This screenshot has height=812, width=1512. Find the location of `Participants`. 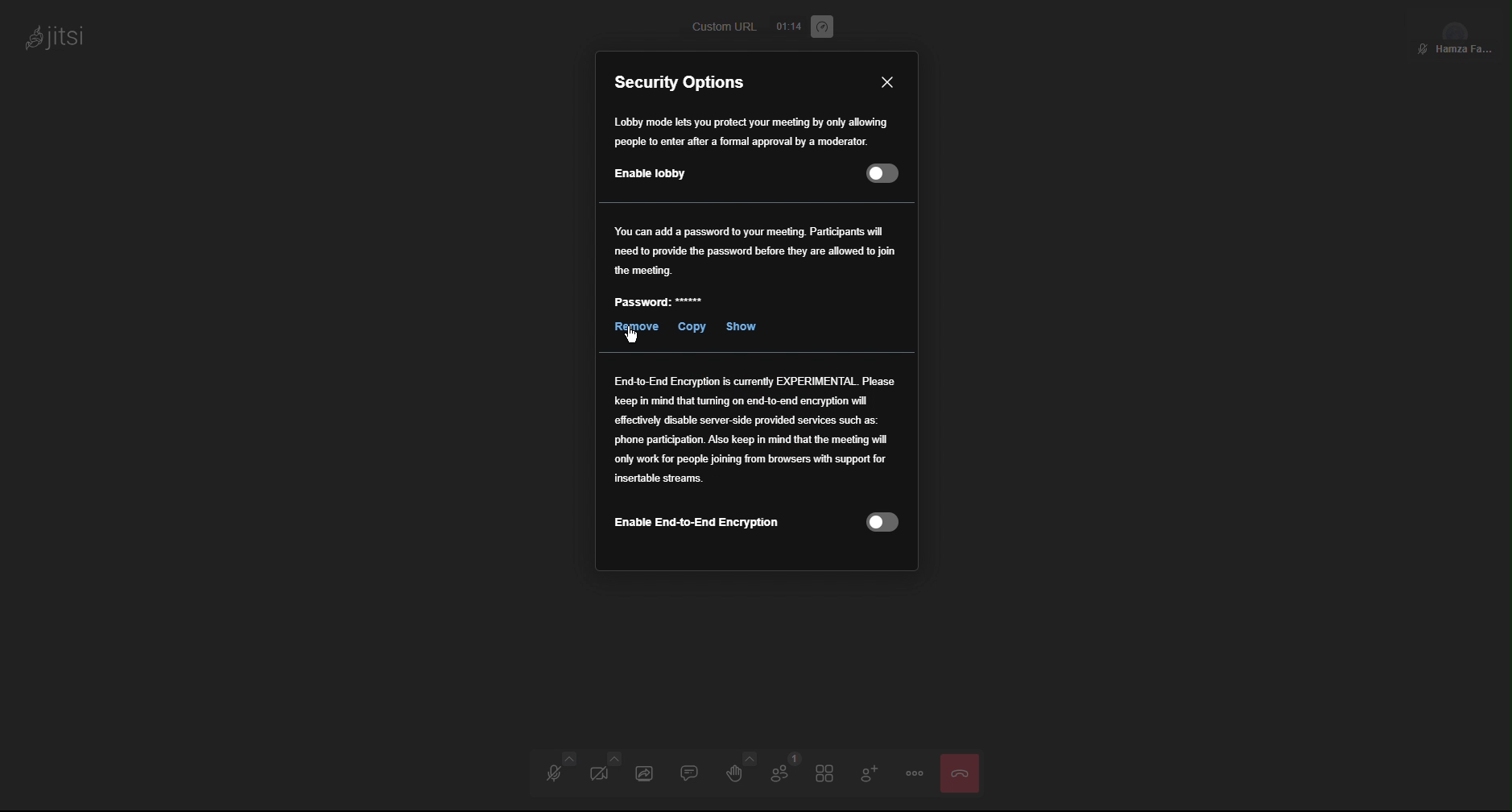

Participants is located at coordinates (788, 774).